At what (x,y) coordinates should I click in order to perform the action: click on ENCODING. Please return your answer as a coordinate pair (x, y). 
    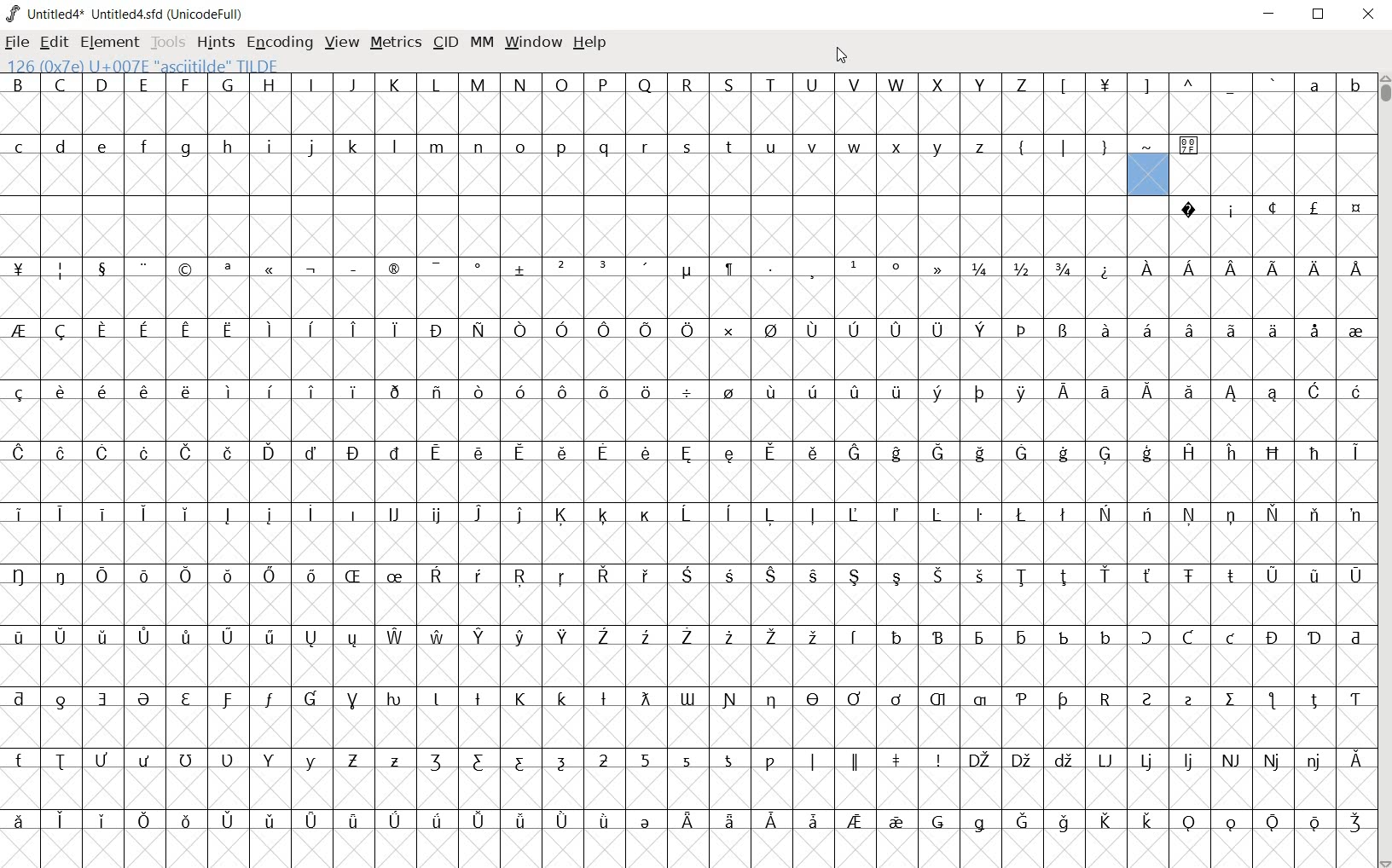
    Looking at the image, I should click on (281, 42).